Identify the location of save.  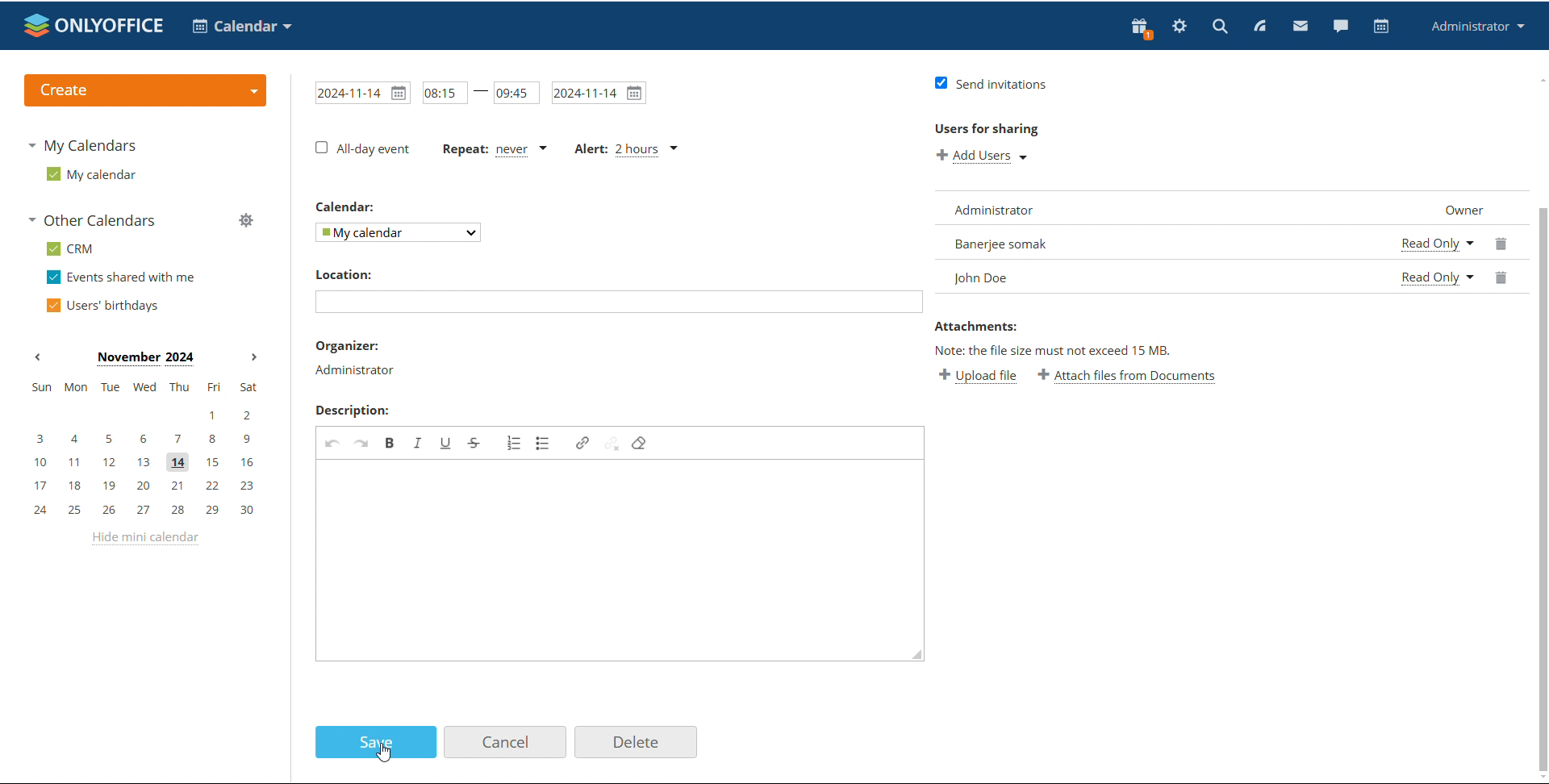
(377, 743).